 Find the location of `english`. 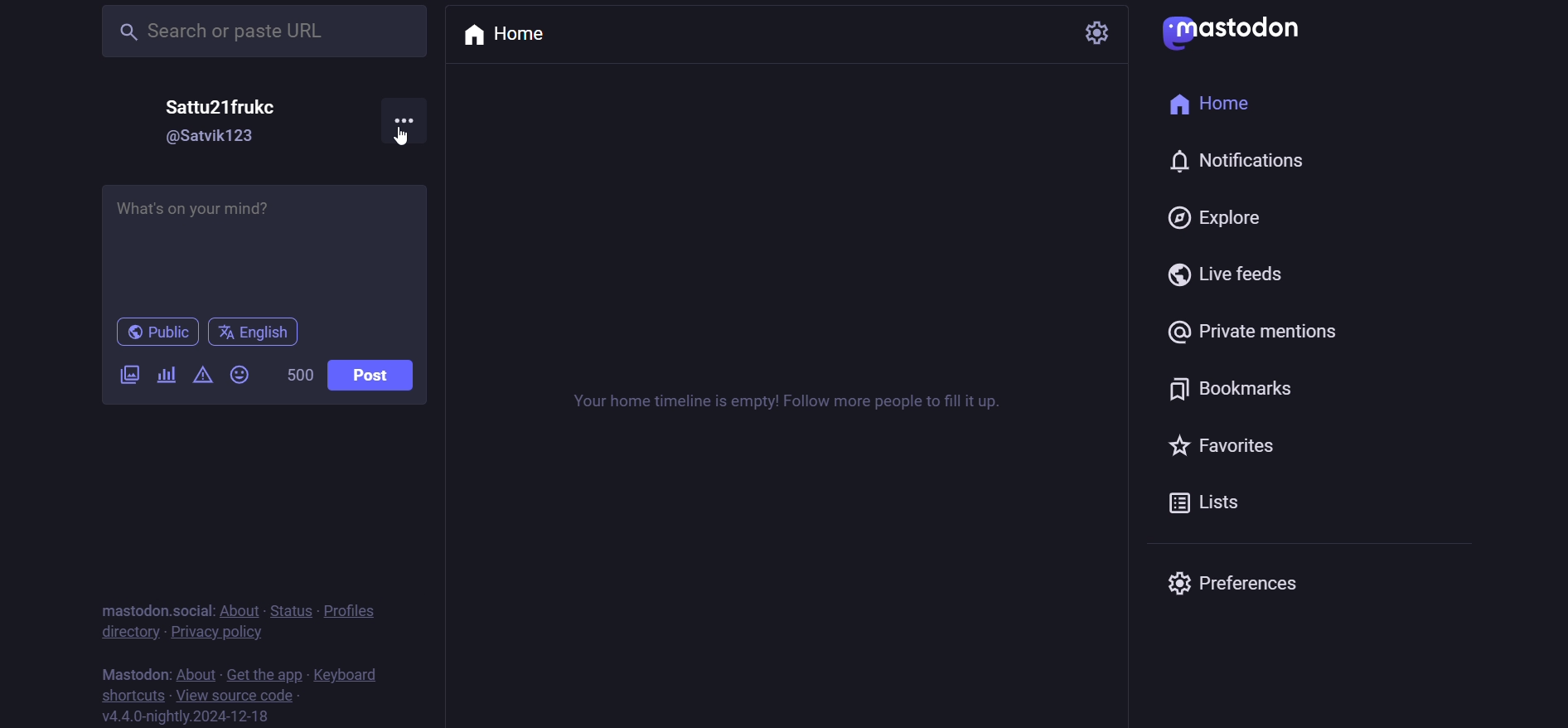

english is located at coordinates (254, 332).